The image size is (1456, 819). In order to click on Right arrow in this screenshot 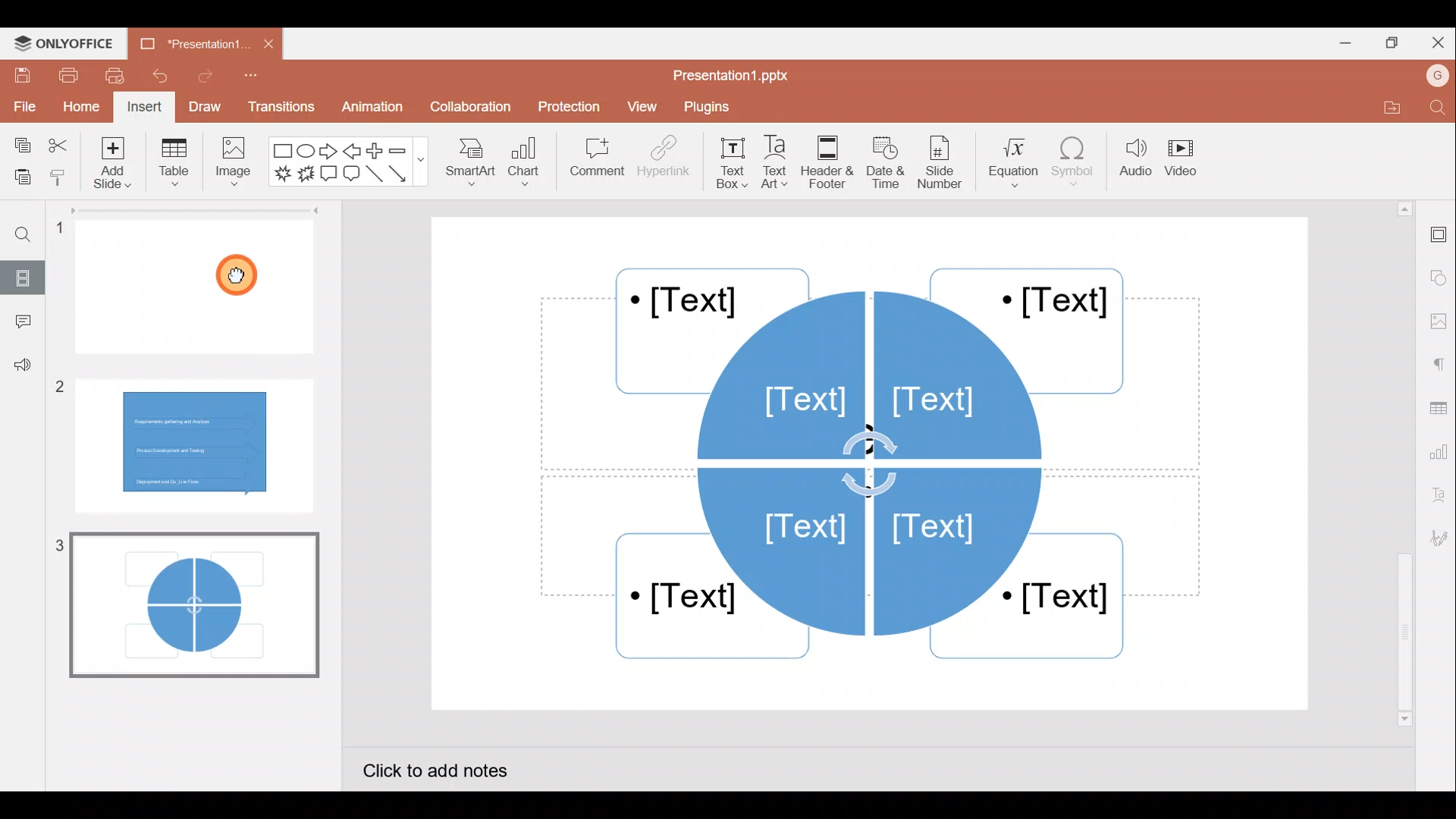, I will do `click(329, 152)`.